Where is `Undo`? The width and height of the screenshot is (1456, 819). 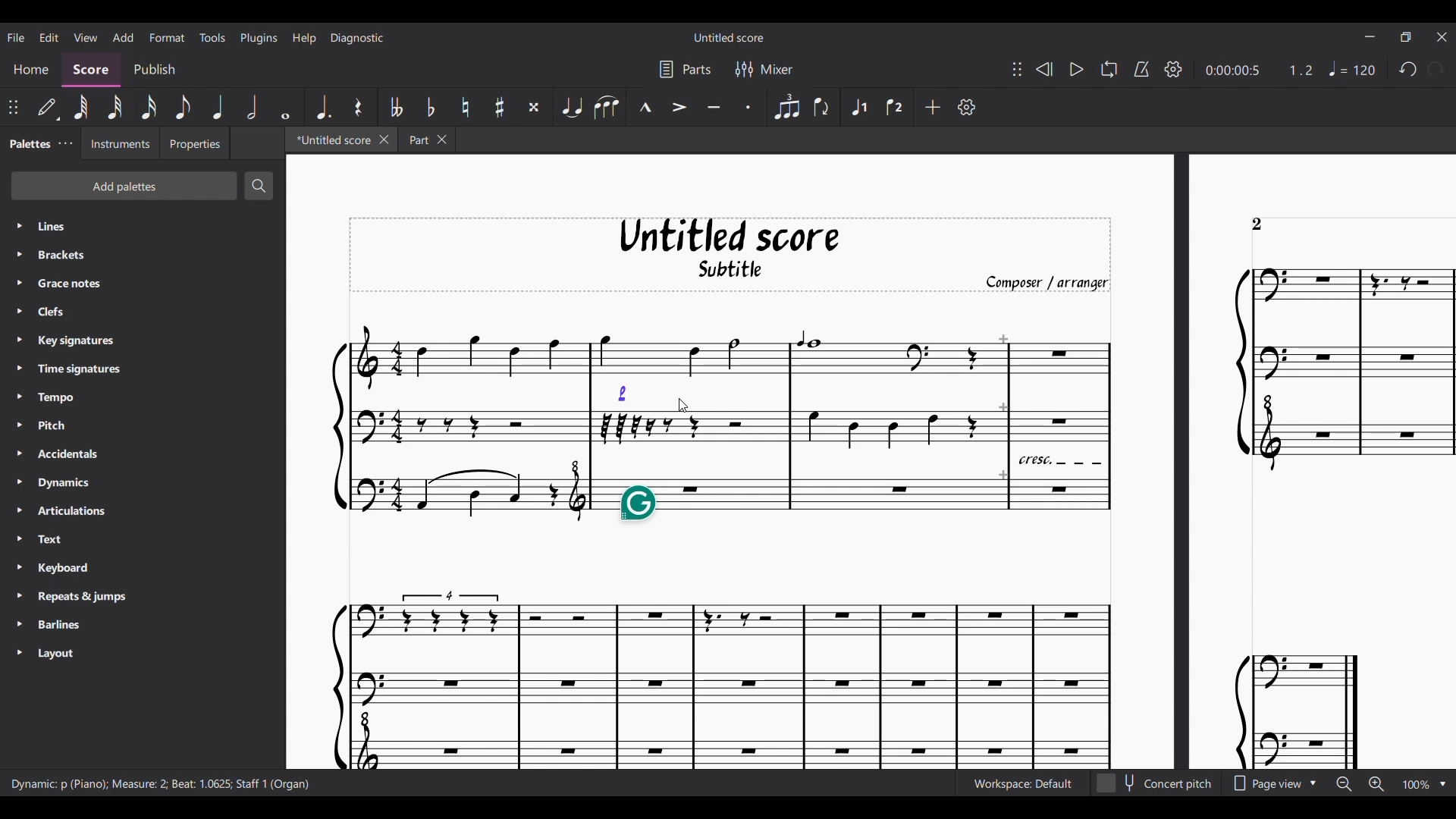 Undo is located at coordinates (1407, 68).